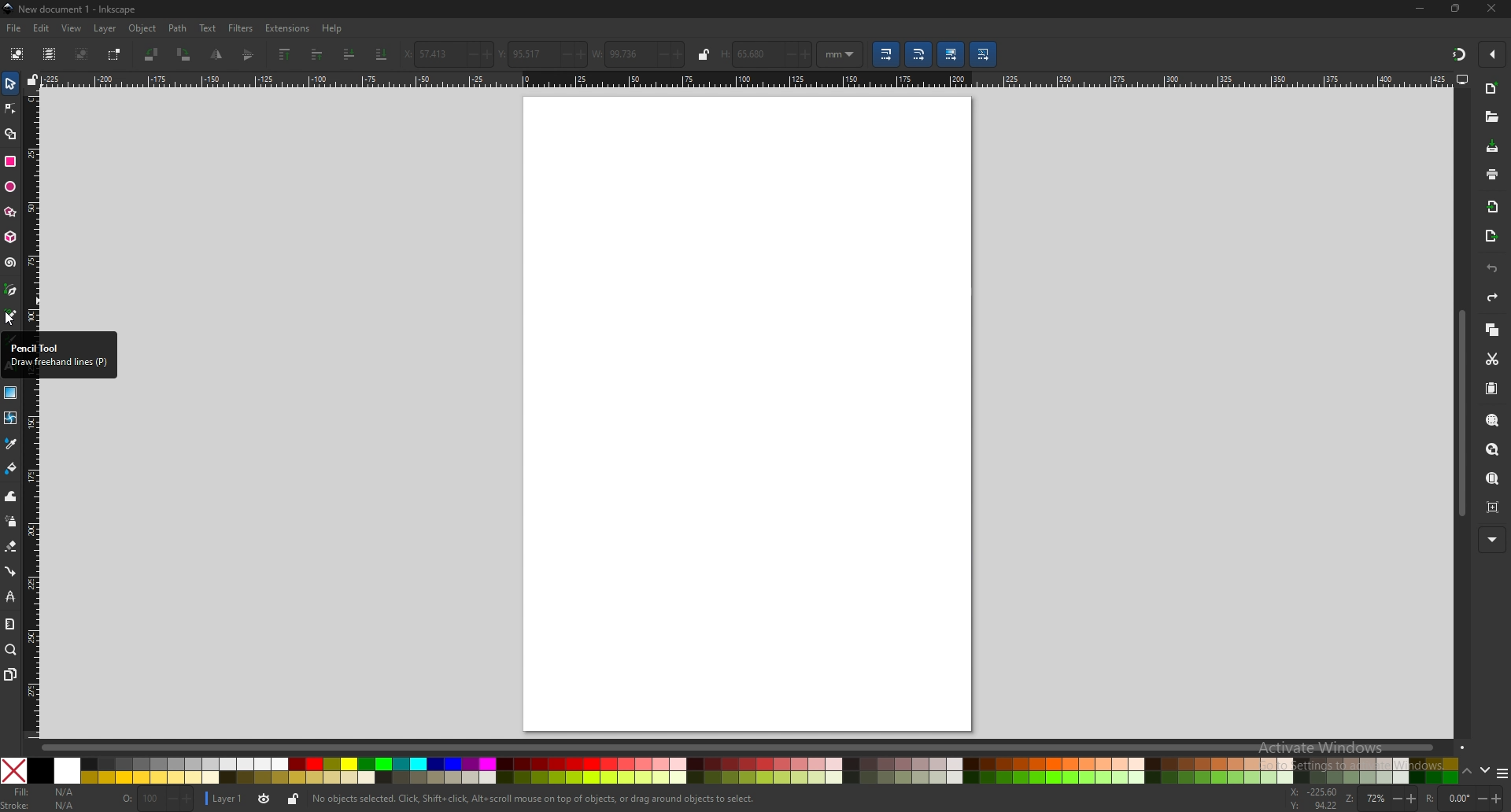 Image resolution: width=1511 pixels, height=812 pixels. Describe the element at coordinates (1492, 540) in the screenshot. I see `more` at that location.